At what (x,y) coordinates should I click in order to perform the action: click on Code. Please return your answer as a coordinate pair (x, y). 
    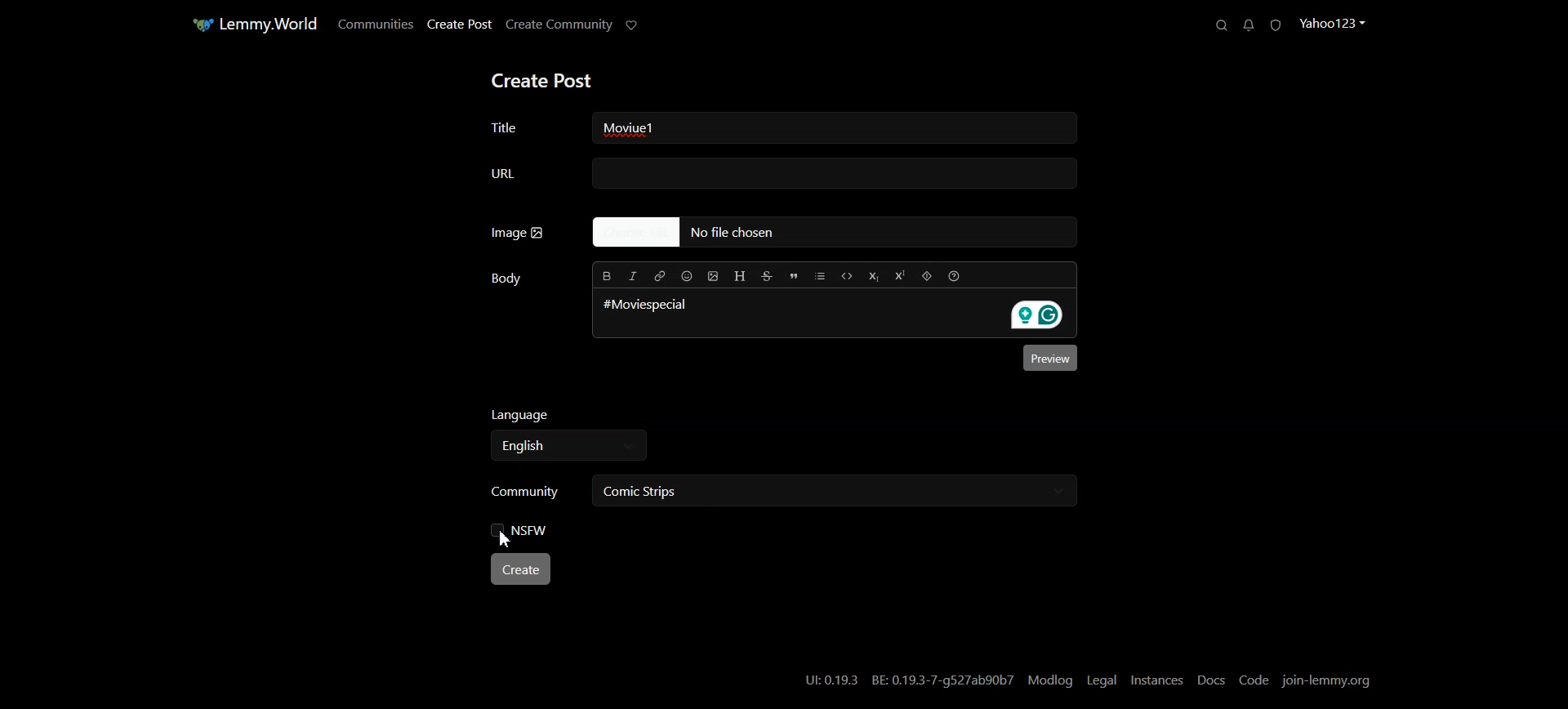
    Looking at the image, I should click on (1255, 680).